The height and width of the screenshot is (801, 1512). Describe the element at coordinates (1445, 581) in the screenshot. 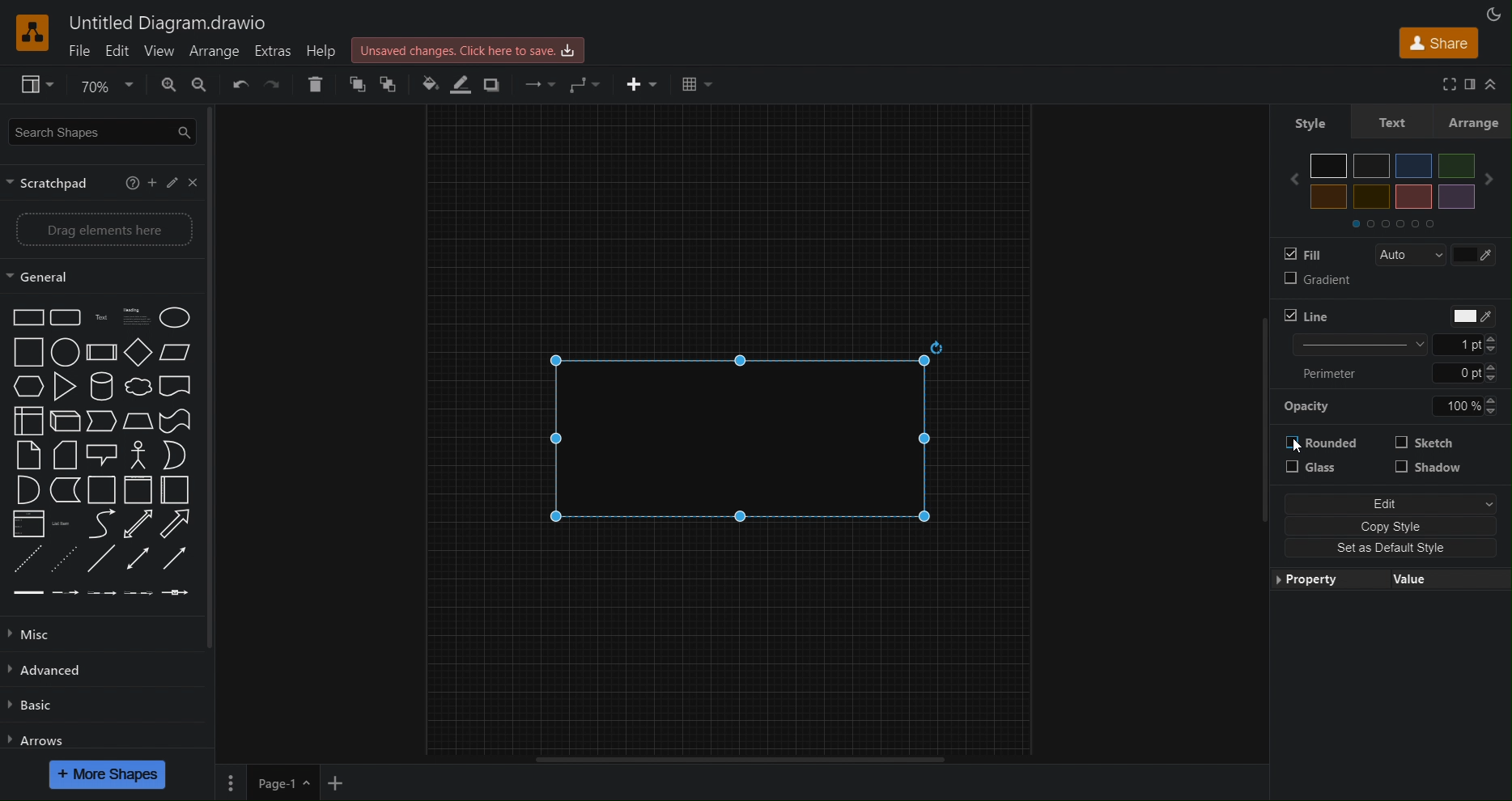

I see `Value` at that location.